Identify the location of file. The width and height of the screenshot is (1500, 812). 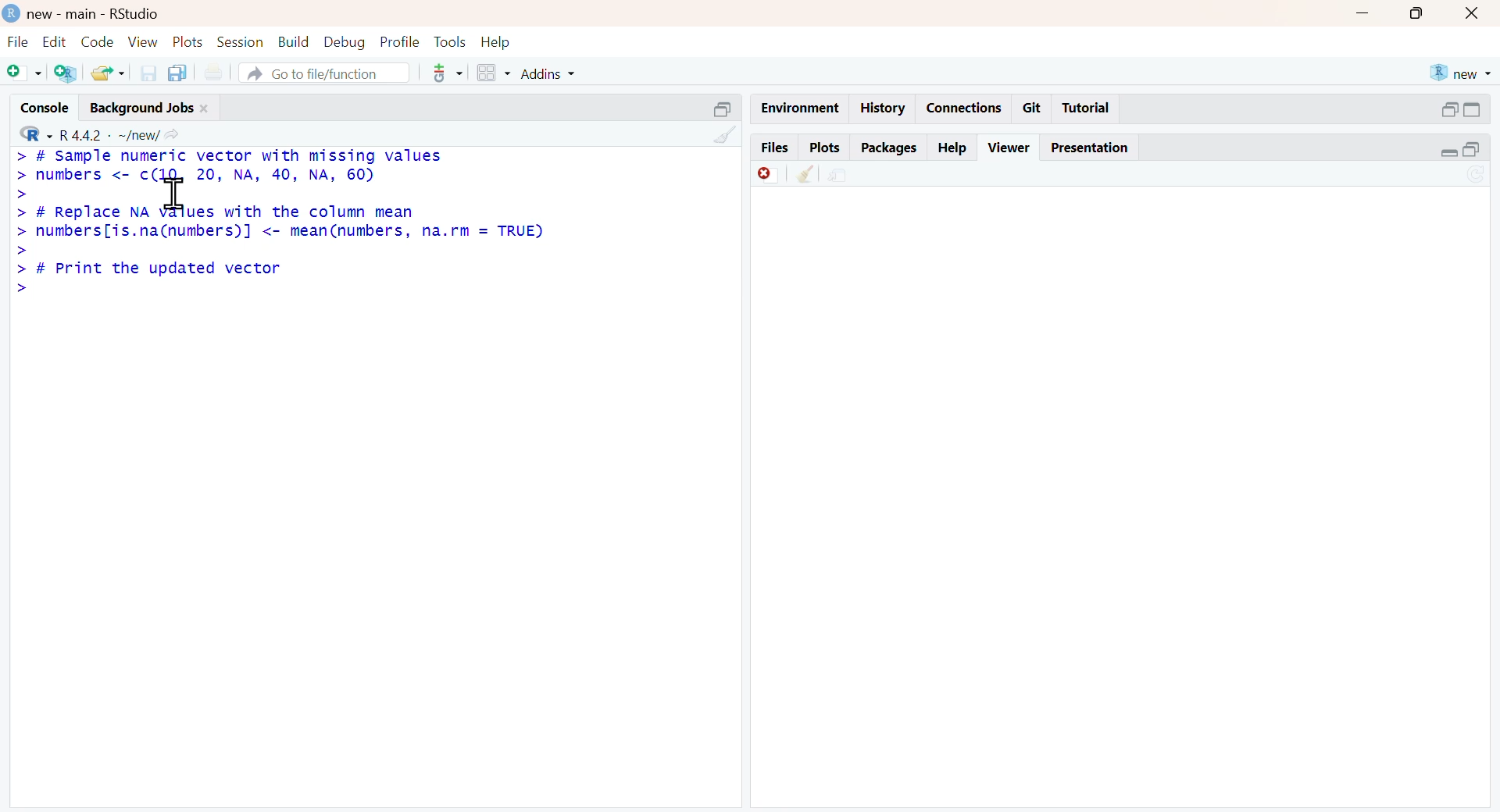
(18, 41).